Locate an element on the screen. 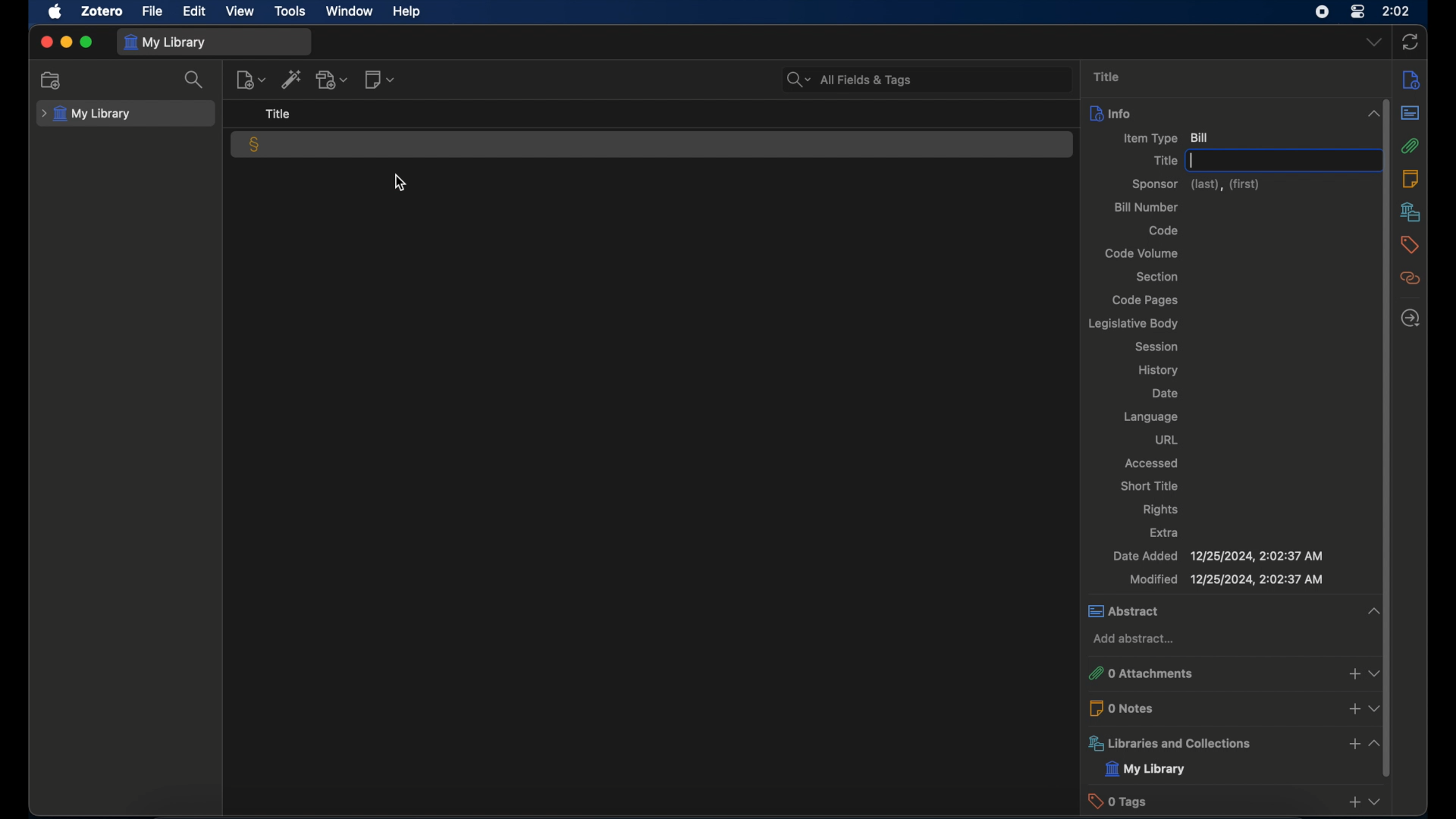 This screenshot has width=1456, height=819. attachments is located at coordinates (1410, 146).